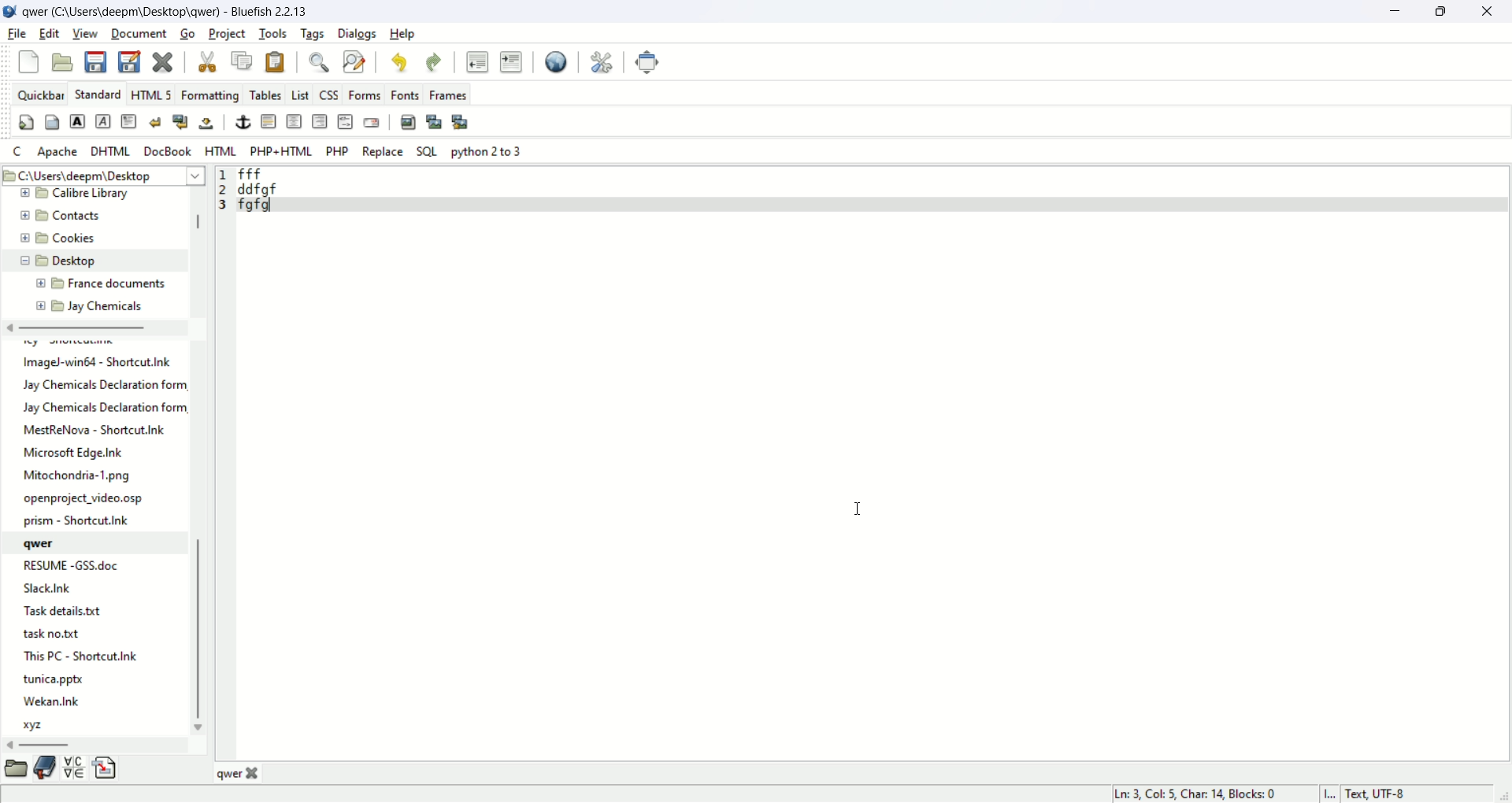 This screenshot has width=1512, height=803. What do you see at coordinates (1331, 793) in the screenshot?
I see `I` at bounding box center [1331, 793].